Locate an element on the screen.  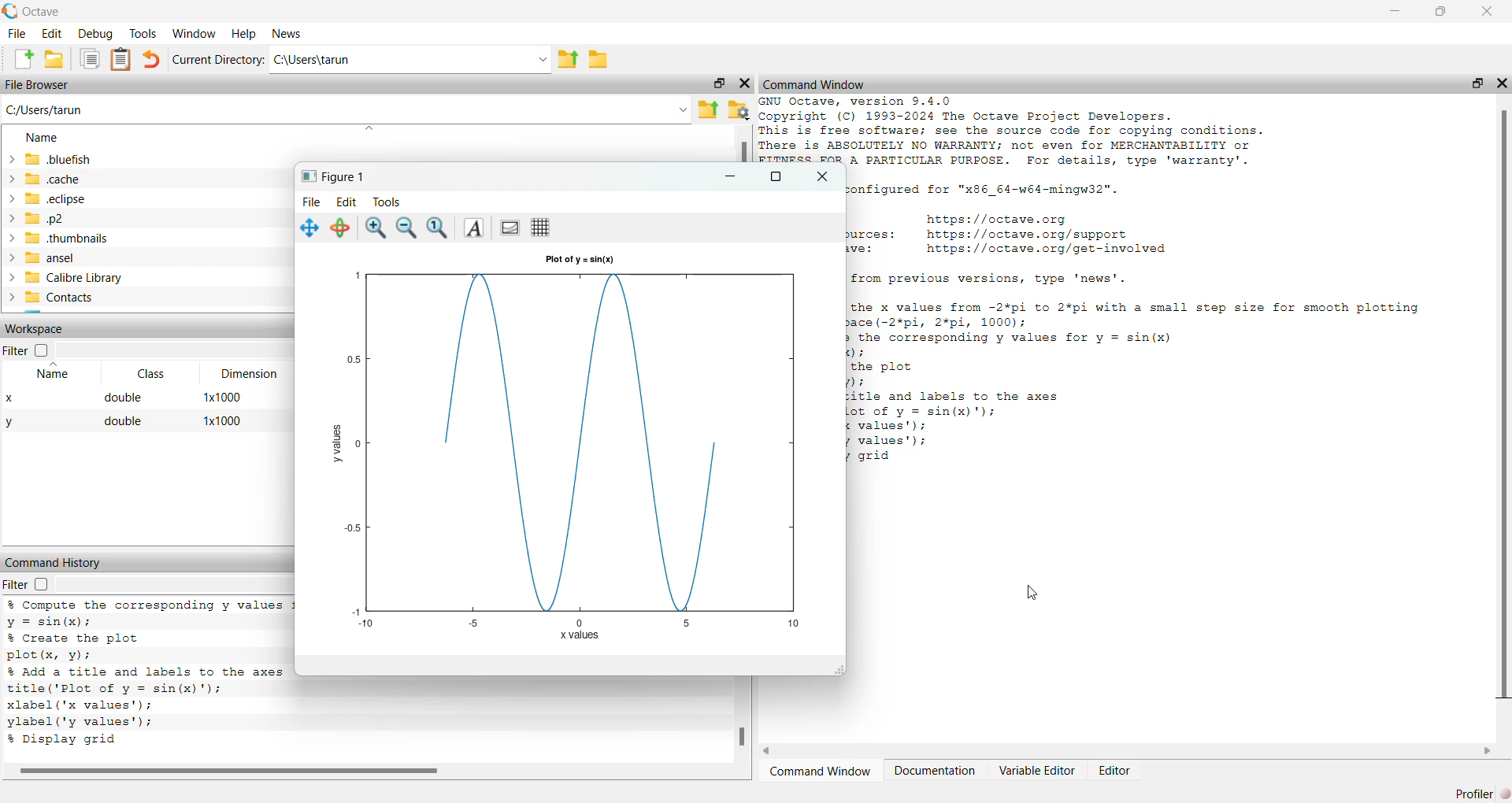
Name is located at coordinates (56, 372).